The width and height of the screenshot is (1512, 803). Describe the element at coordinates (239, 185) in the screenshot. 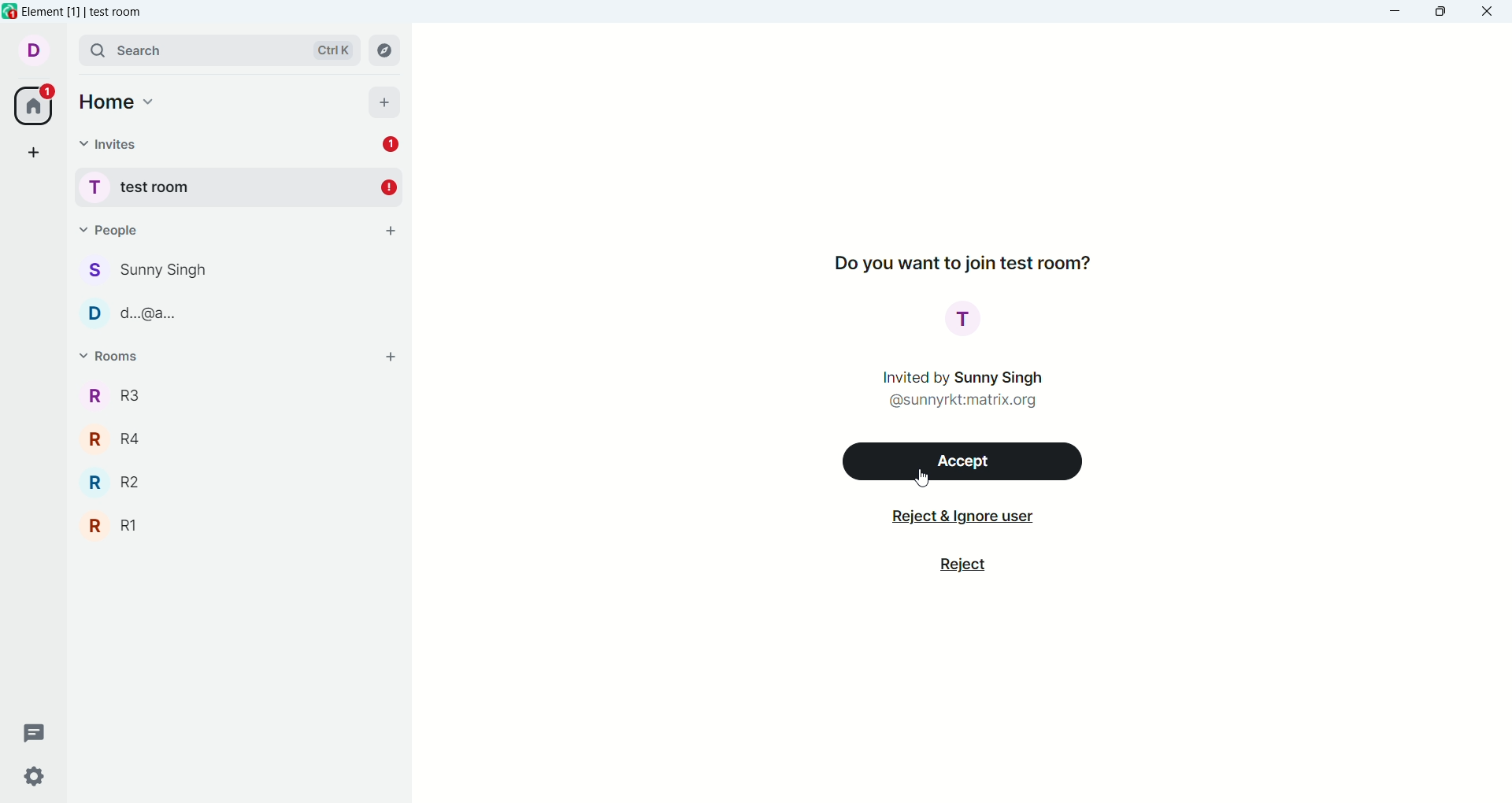

I see `test room` at that location.